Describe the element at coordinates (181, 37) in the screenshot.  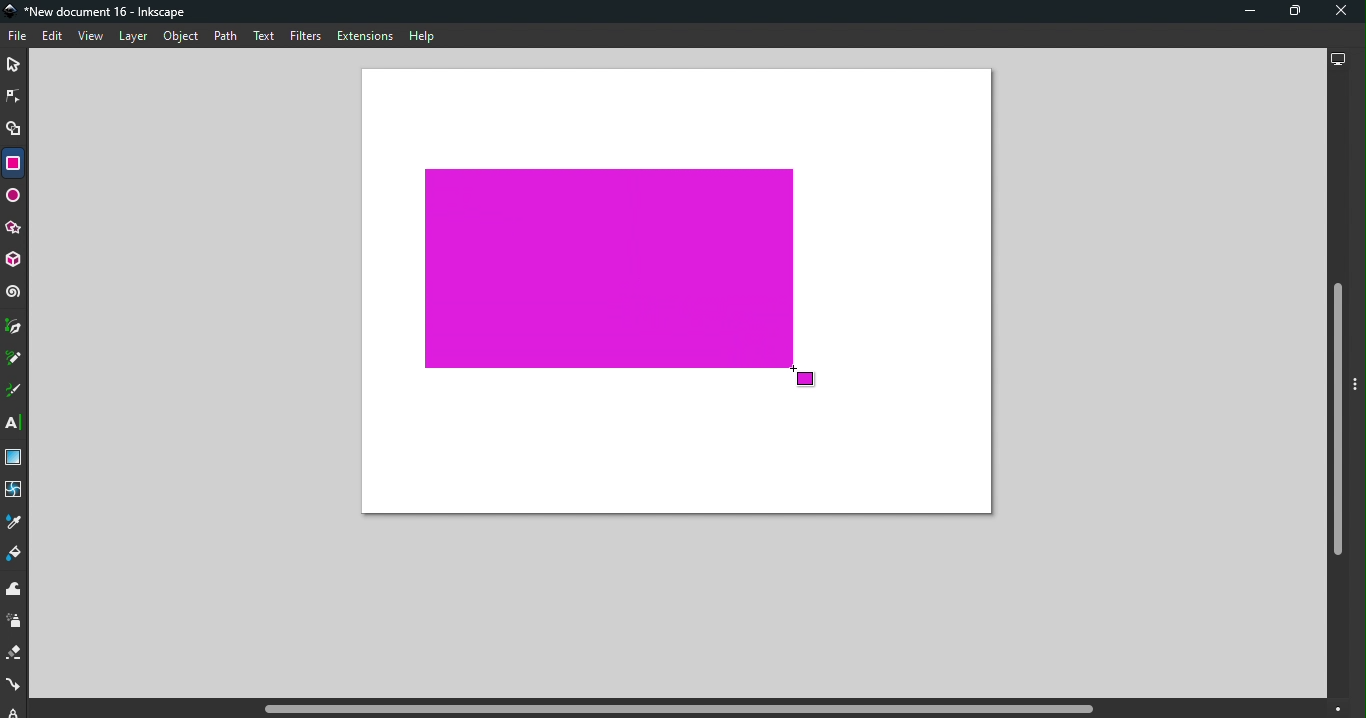
I see `Object` at that location.